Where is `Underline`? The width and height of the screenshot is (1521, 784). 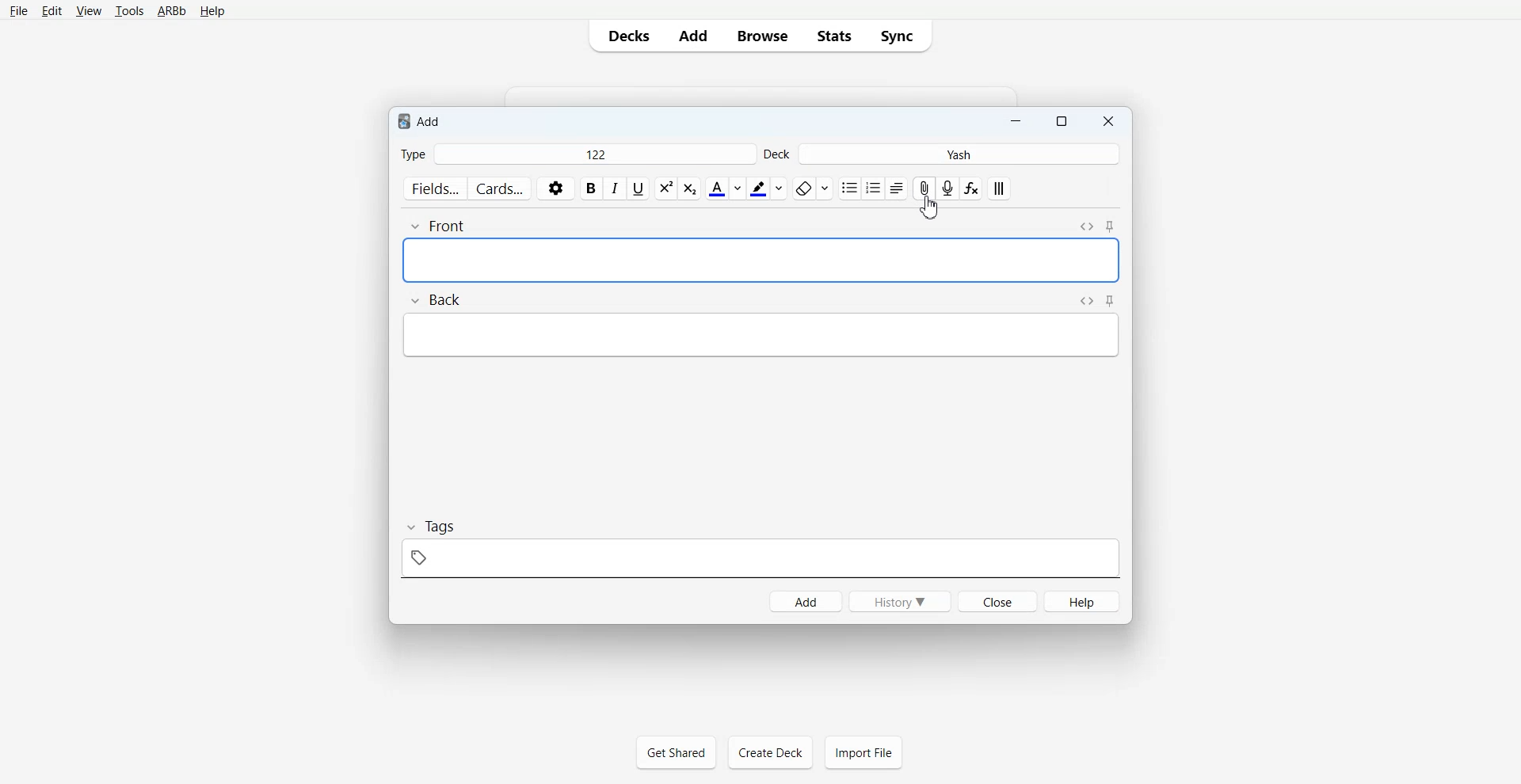
Underline is located at coordinates (639, 188).